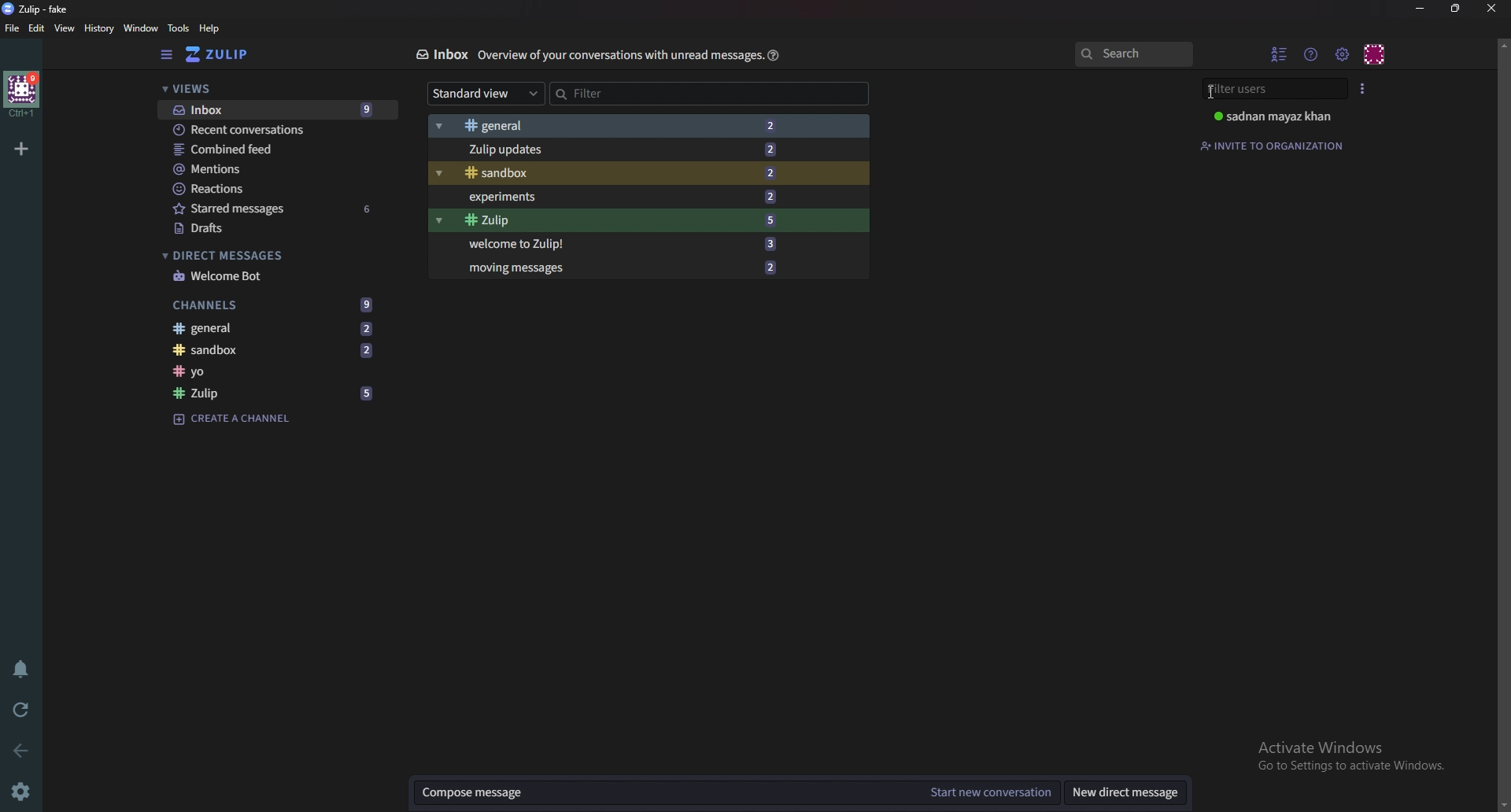  I want to click on Cursor, so click(1211, 90).